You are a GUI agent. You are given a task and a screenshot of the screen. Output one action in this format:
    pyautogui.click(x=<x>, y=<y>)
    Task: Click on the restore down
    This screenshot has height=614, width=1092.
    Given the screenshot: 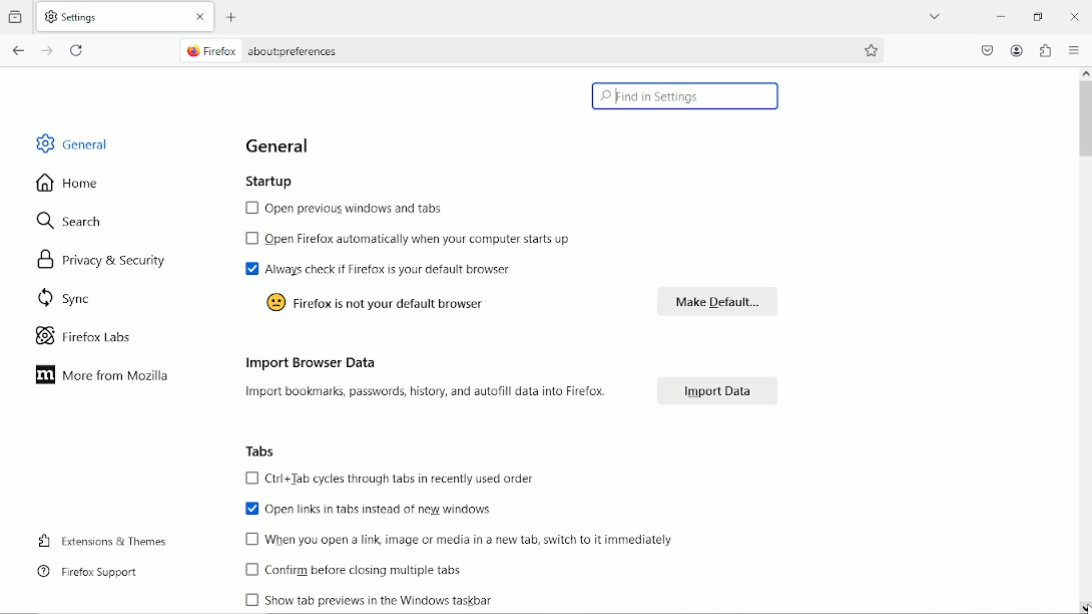 What is the action you would take?
    pyautogui.click(x=1039, y=17)
    